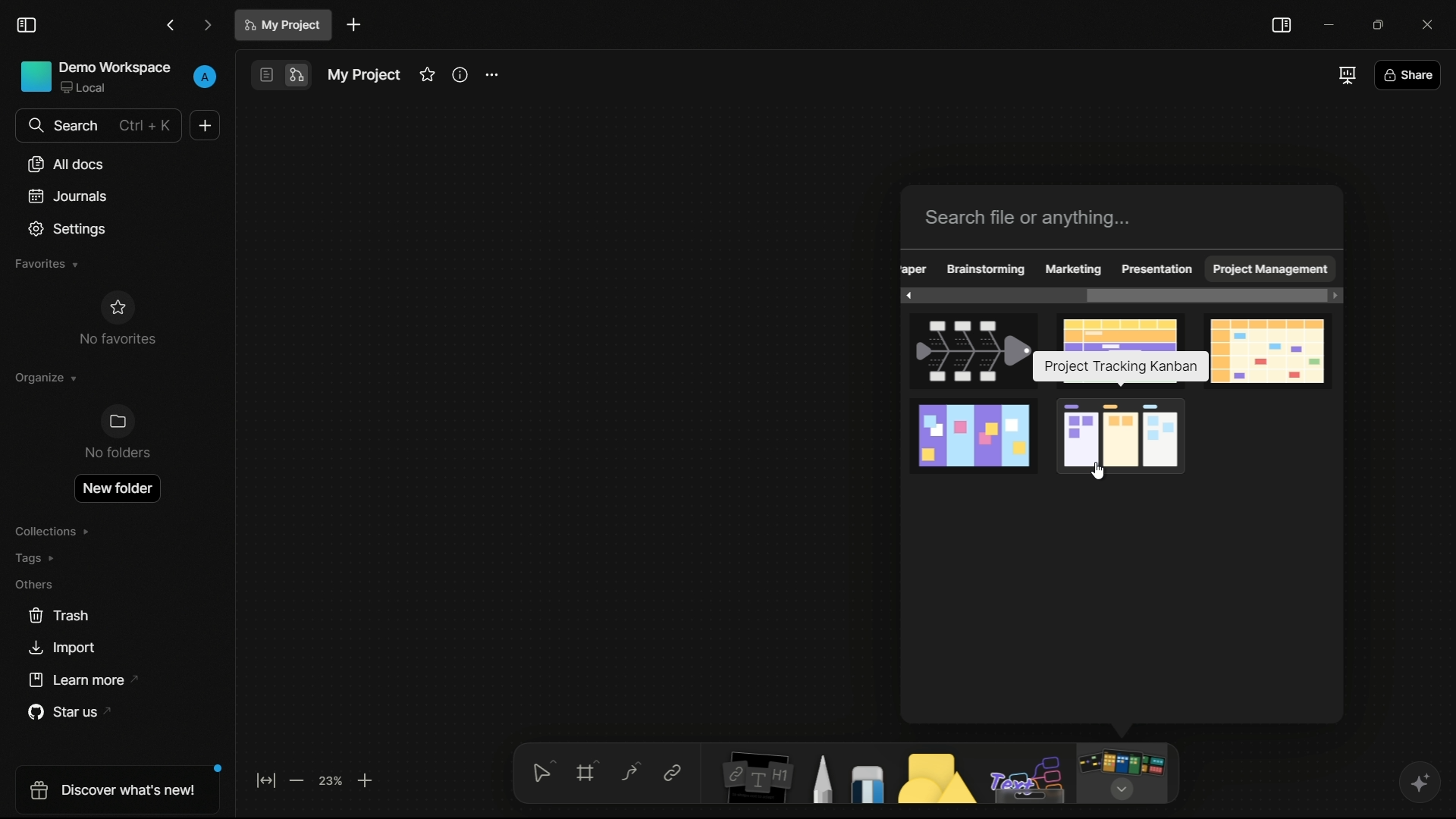 The height and width of the screenshot is (819, 1456). What do you see at coordinates (1281, 25) in the screenshot?
I see `toggle sidebar` at bounding box center [1281, 25].